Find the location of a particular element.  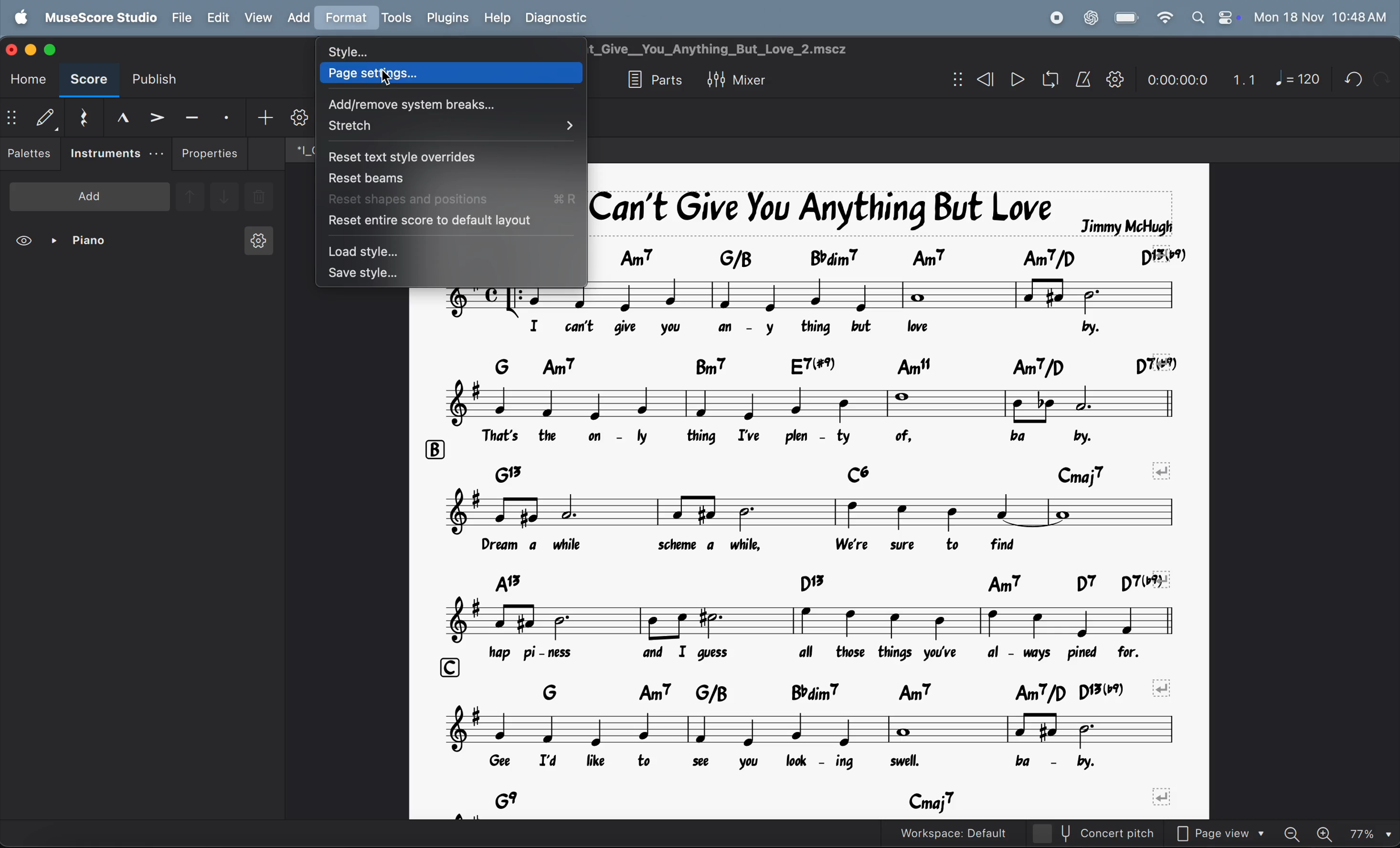

delete is located at coordinates (259, 198).